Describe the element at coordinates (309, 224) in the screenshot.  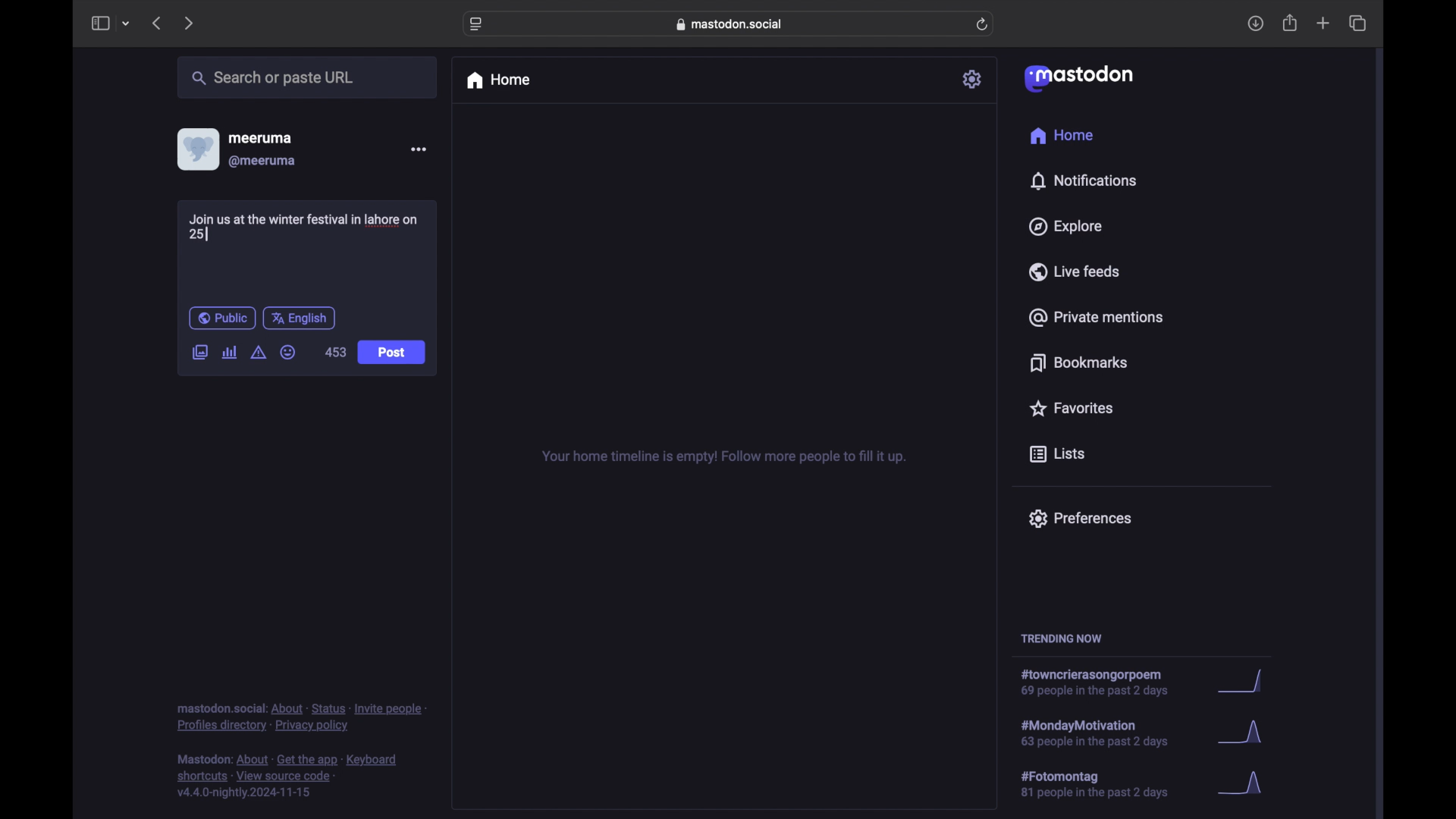
I see `Join us at the winter festival in lahore on 25` at that location.